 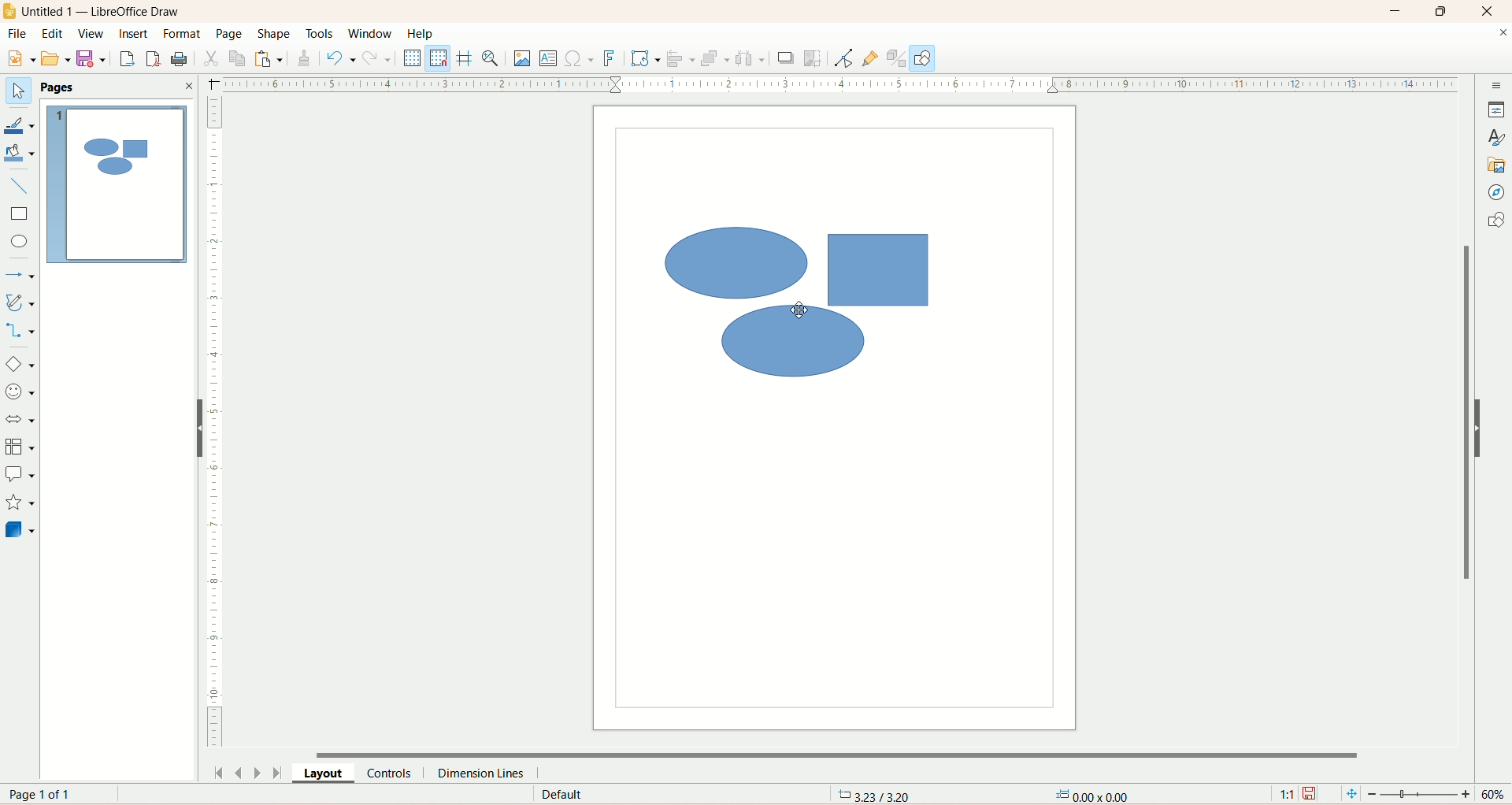 I want to click on basic shapes, so click(x=20, y=365).